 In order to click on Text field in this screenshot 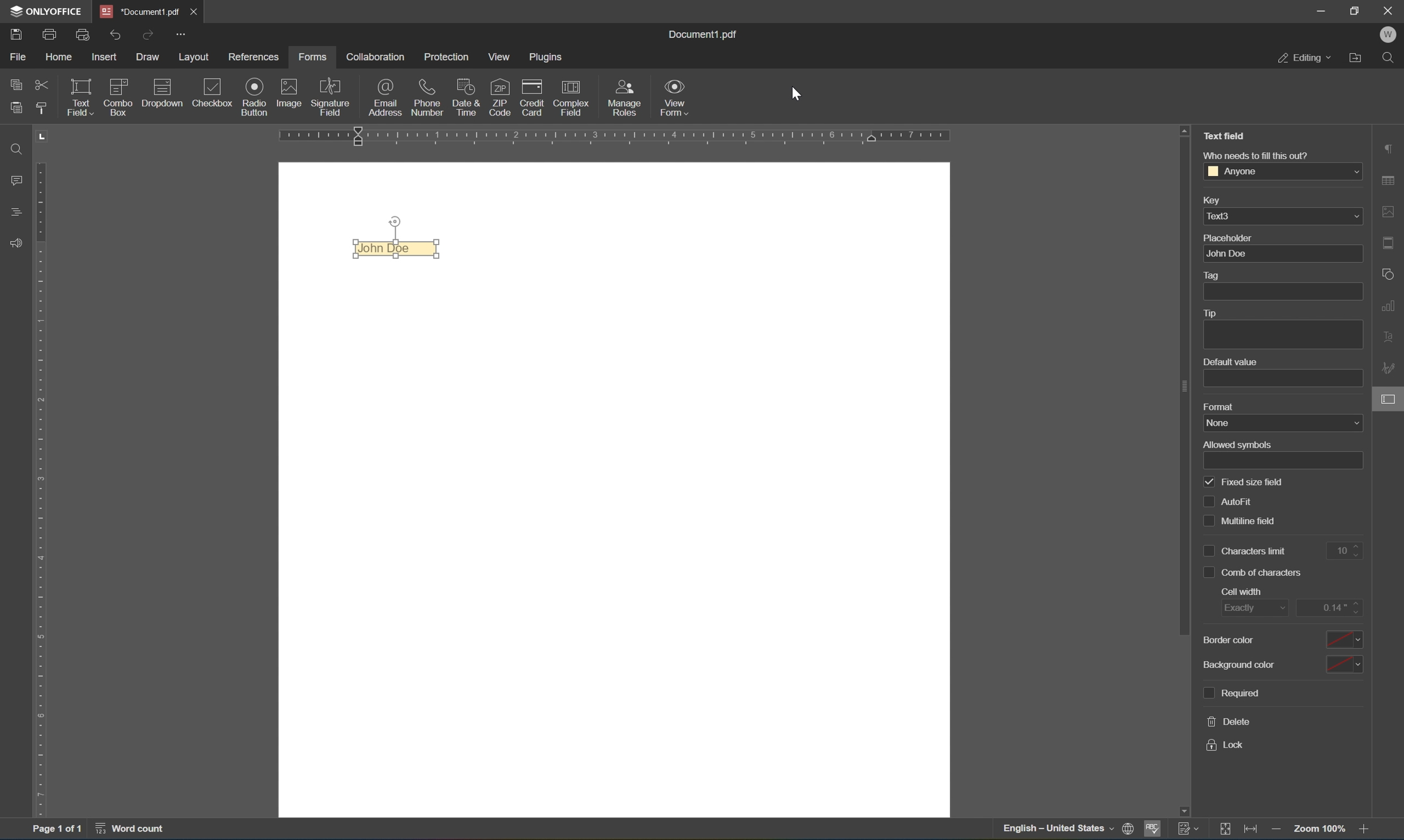, I will do `click(1225, 138)`.